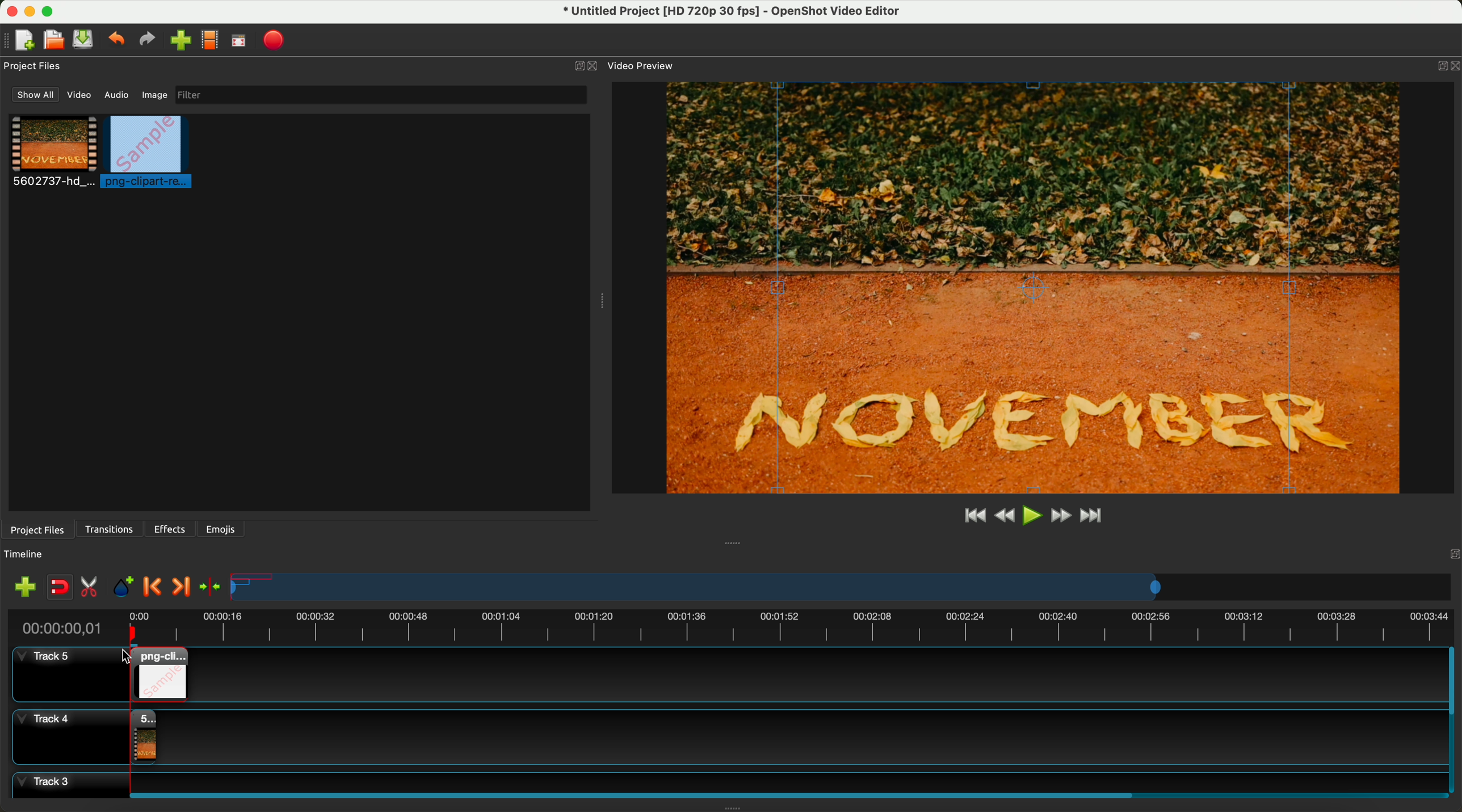  I want to click on track 5, so click(60, 675).